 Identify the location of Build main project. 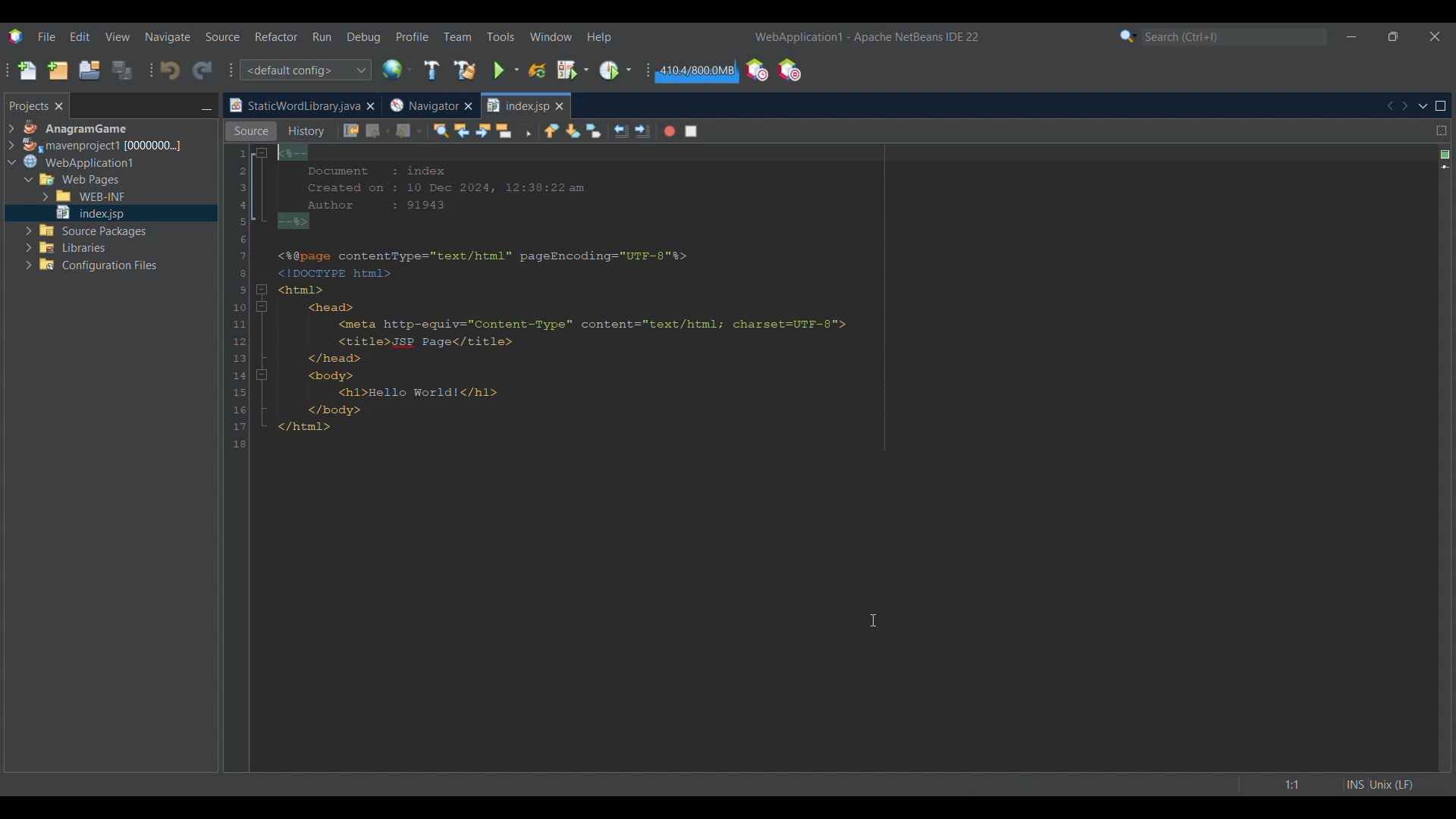
(431, 70).